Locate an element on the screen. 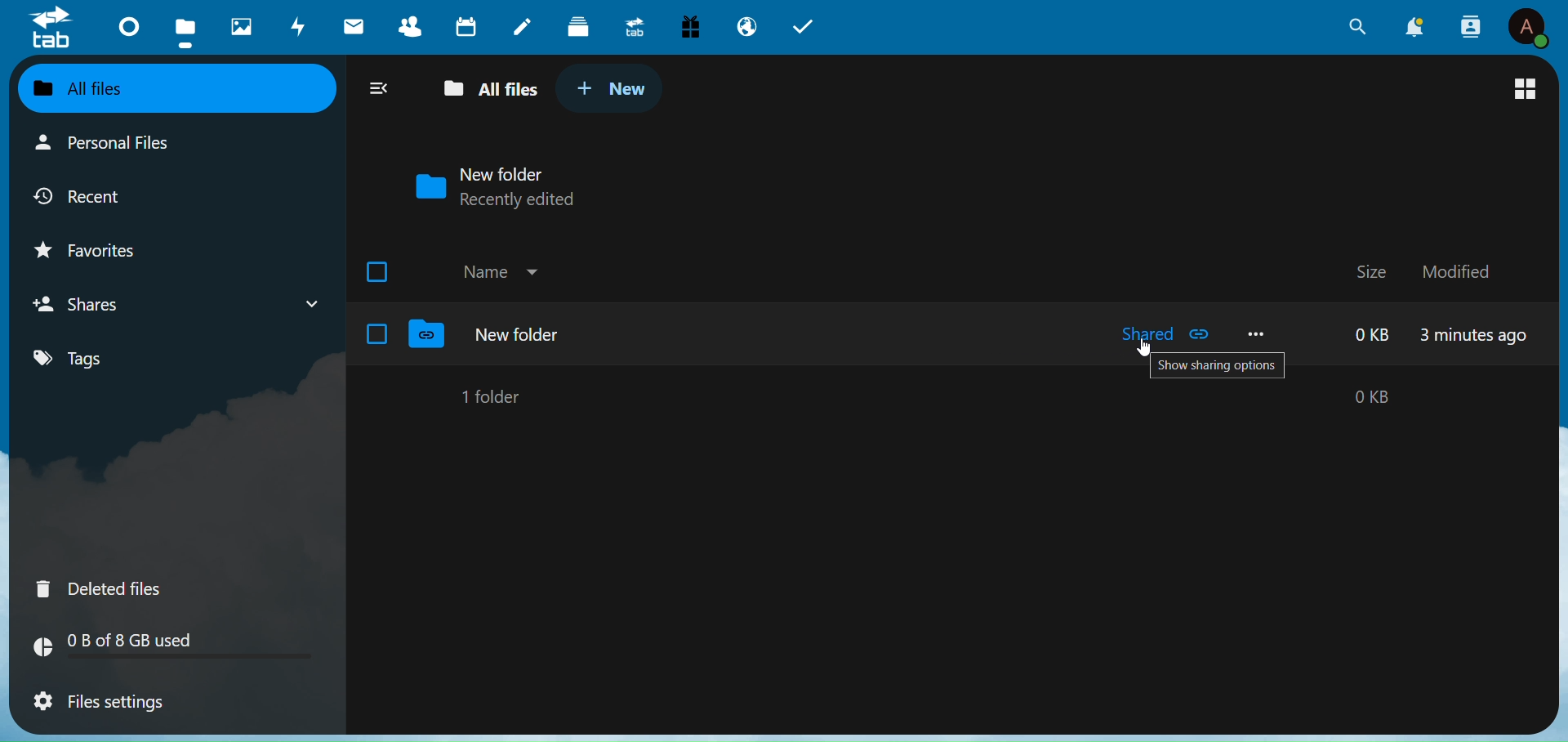 This screenshot has height=742, width=1568. Folder Icon is located at coordinates (426, 186).